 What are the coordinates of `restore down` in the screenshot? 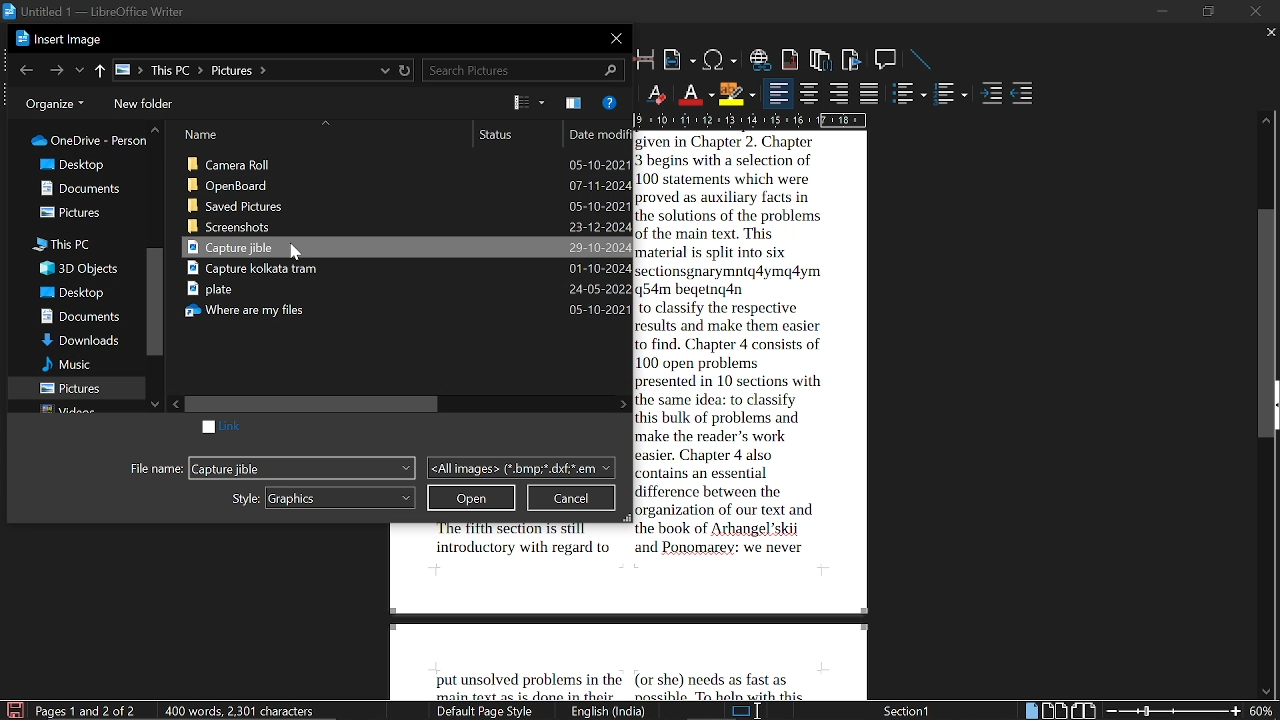 It's located at (1203, 12).